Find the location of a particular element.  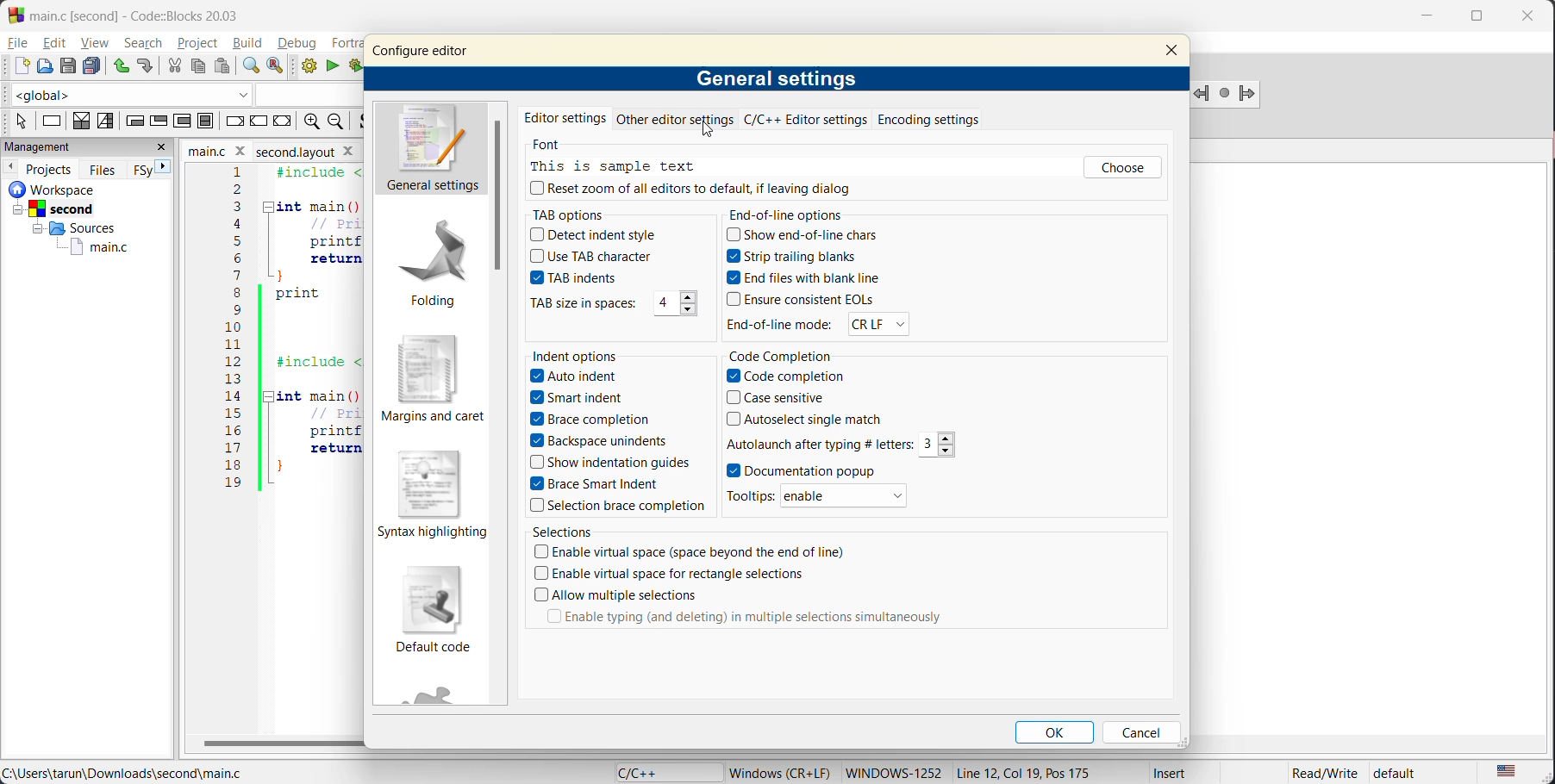

choose is located at coordinates (1122, 166).